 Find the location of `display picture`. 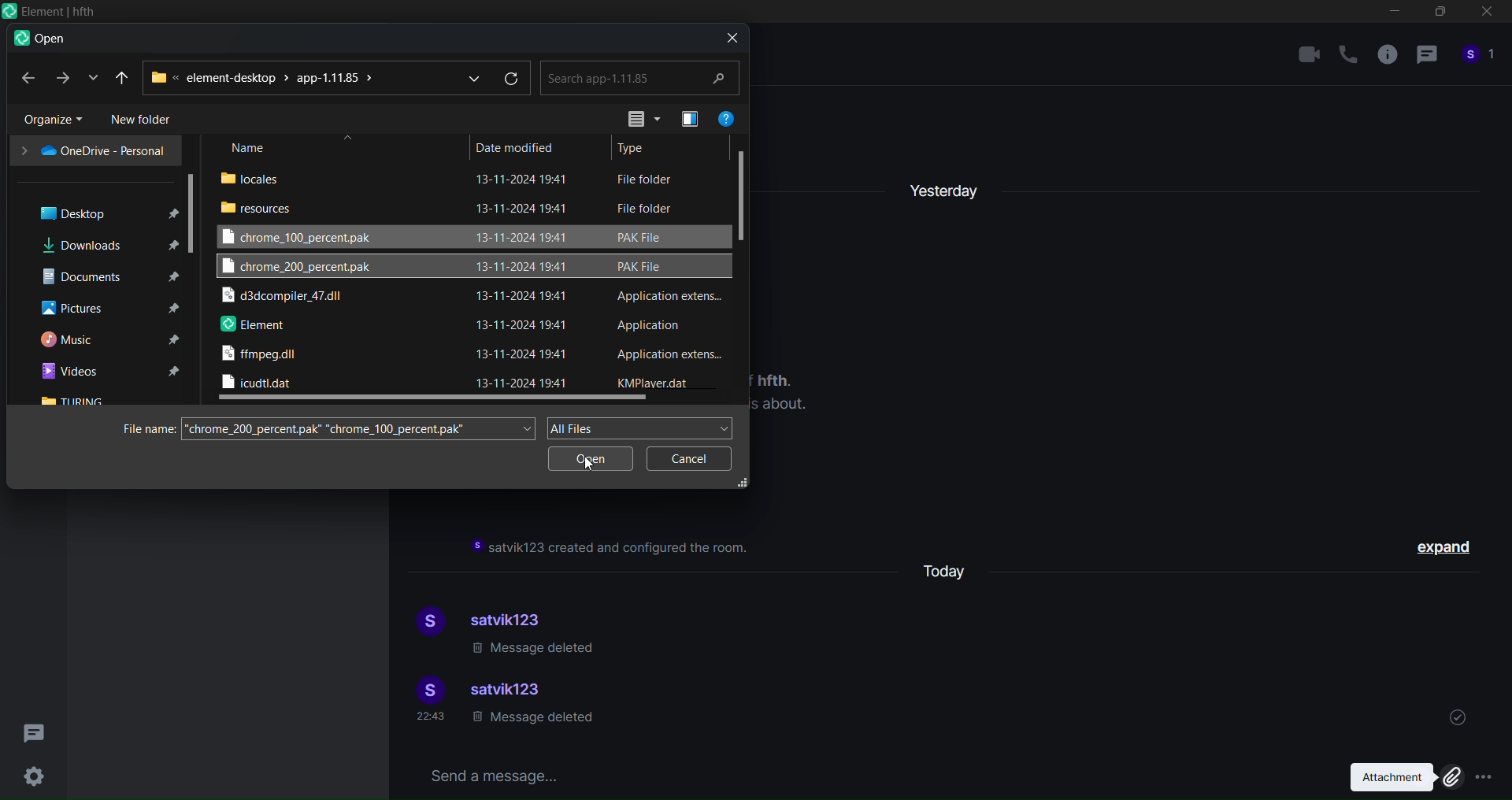

display picture is located at coordinates (426, 623).